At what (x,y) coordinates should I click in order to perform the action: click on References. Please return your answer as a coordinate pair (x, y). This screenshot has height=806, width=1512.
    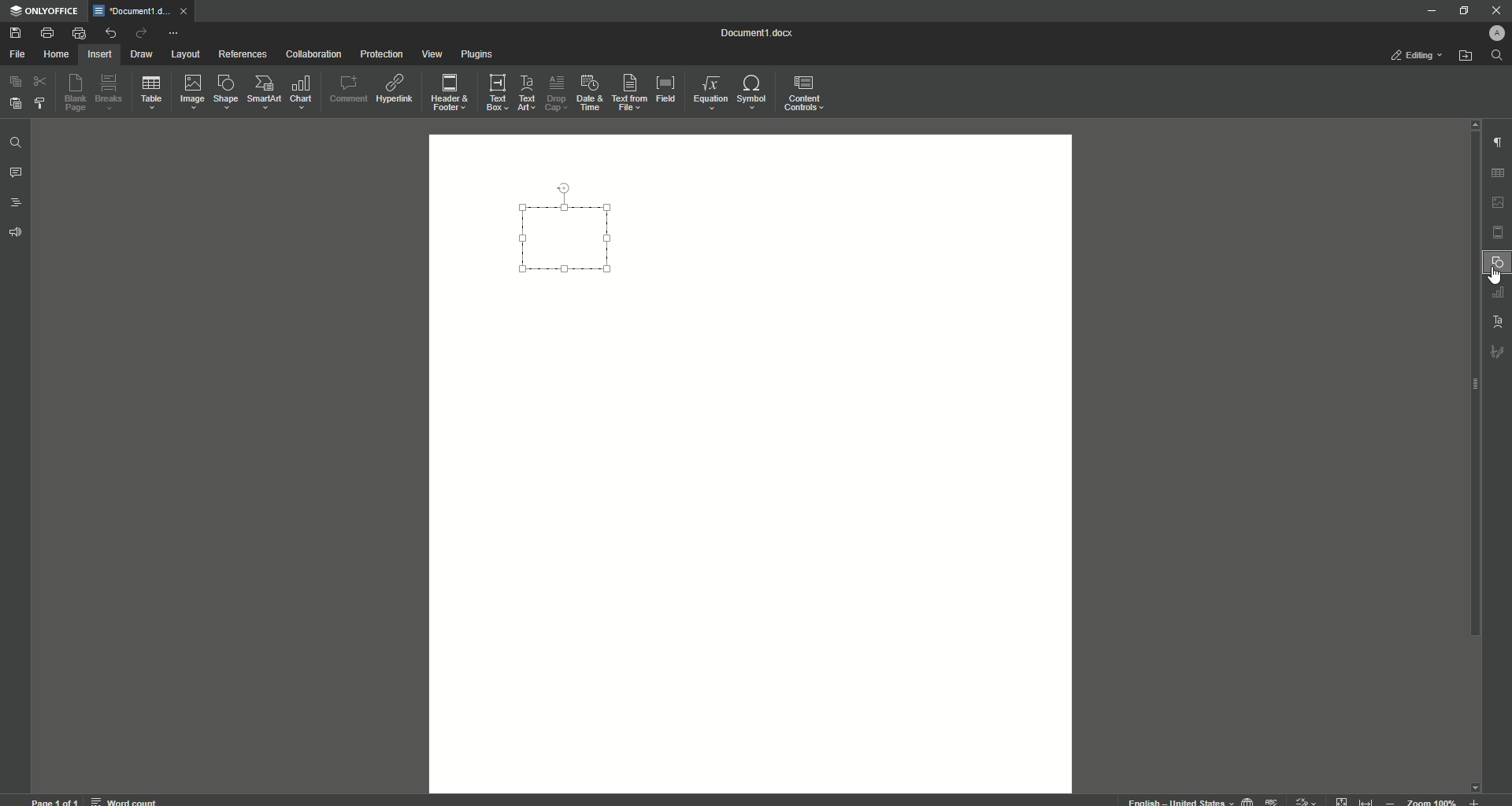
    Looking at the image, I should click on (243, 54).